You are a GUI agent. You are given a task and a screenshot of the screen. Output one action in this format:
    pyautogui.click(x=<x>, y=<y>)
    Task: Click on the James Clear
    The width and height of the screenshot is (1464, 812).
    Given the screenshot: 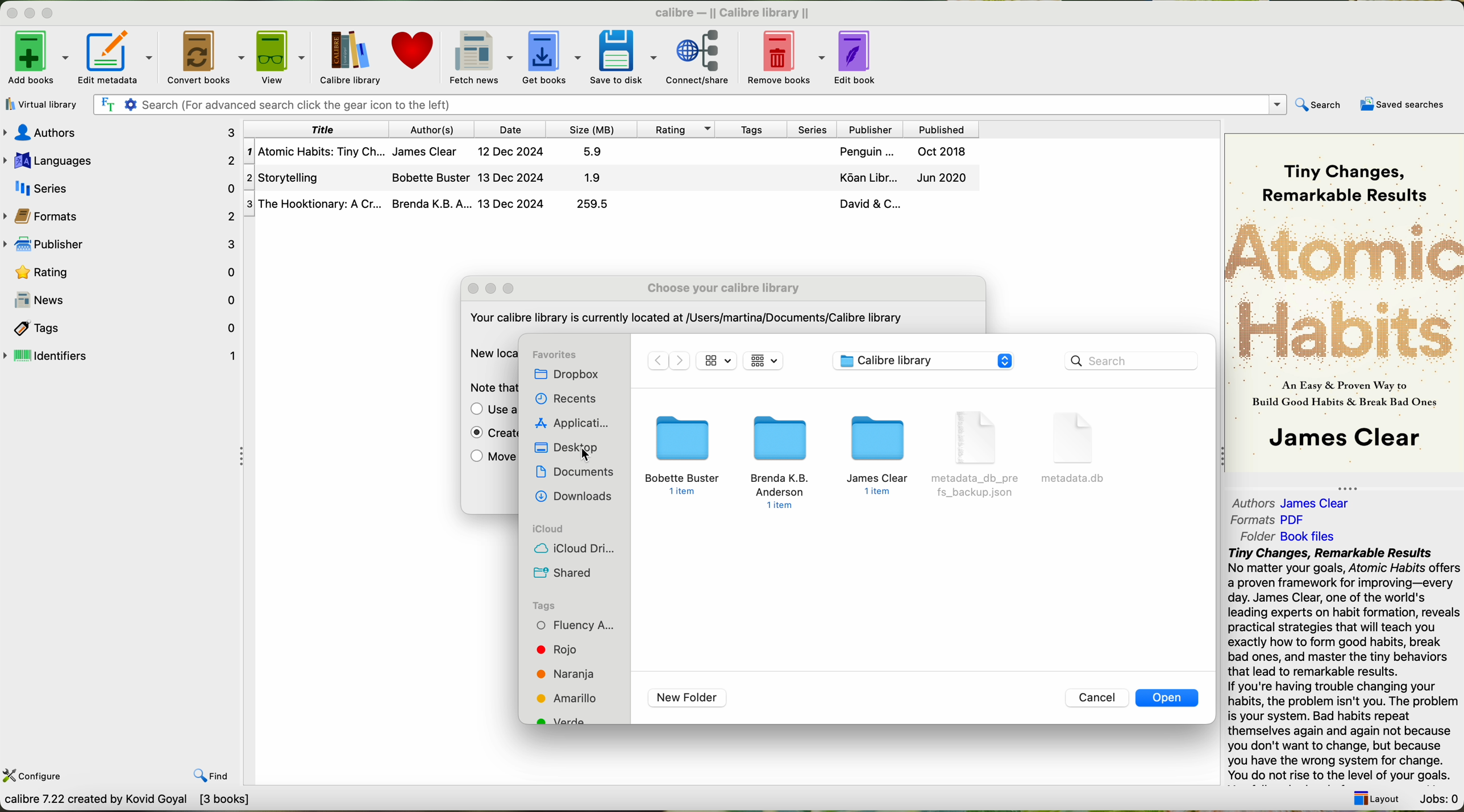 What is the action you would take?
    pyautogui.click(x=1343, y=440)
    